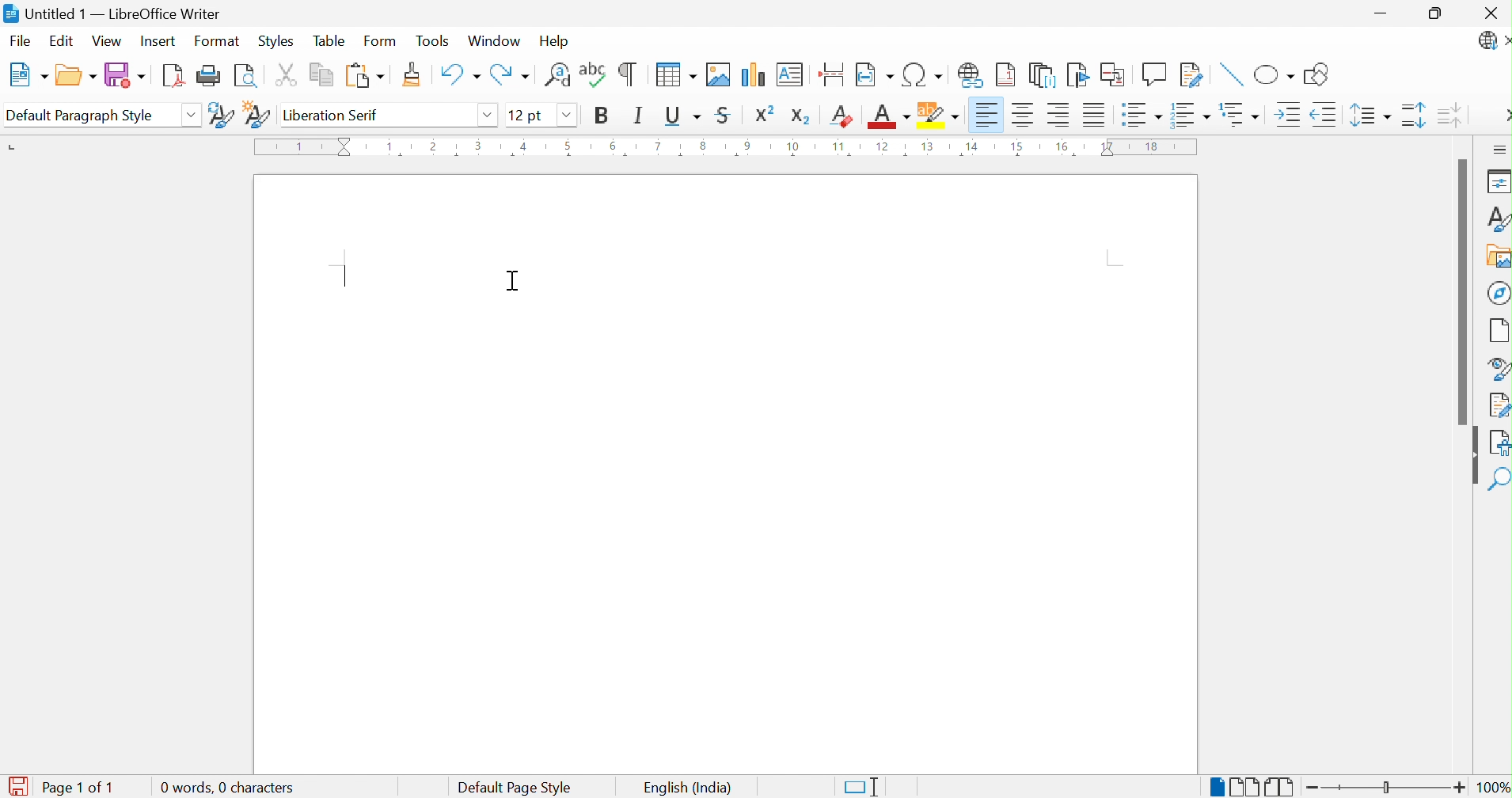  What do you see at coordinates (1244, 785) in the screenshot?
I see `Multiple-page View` at bounding box center [1244, 785].